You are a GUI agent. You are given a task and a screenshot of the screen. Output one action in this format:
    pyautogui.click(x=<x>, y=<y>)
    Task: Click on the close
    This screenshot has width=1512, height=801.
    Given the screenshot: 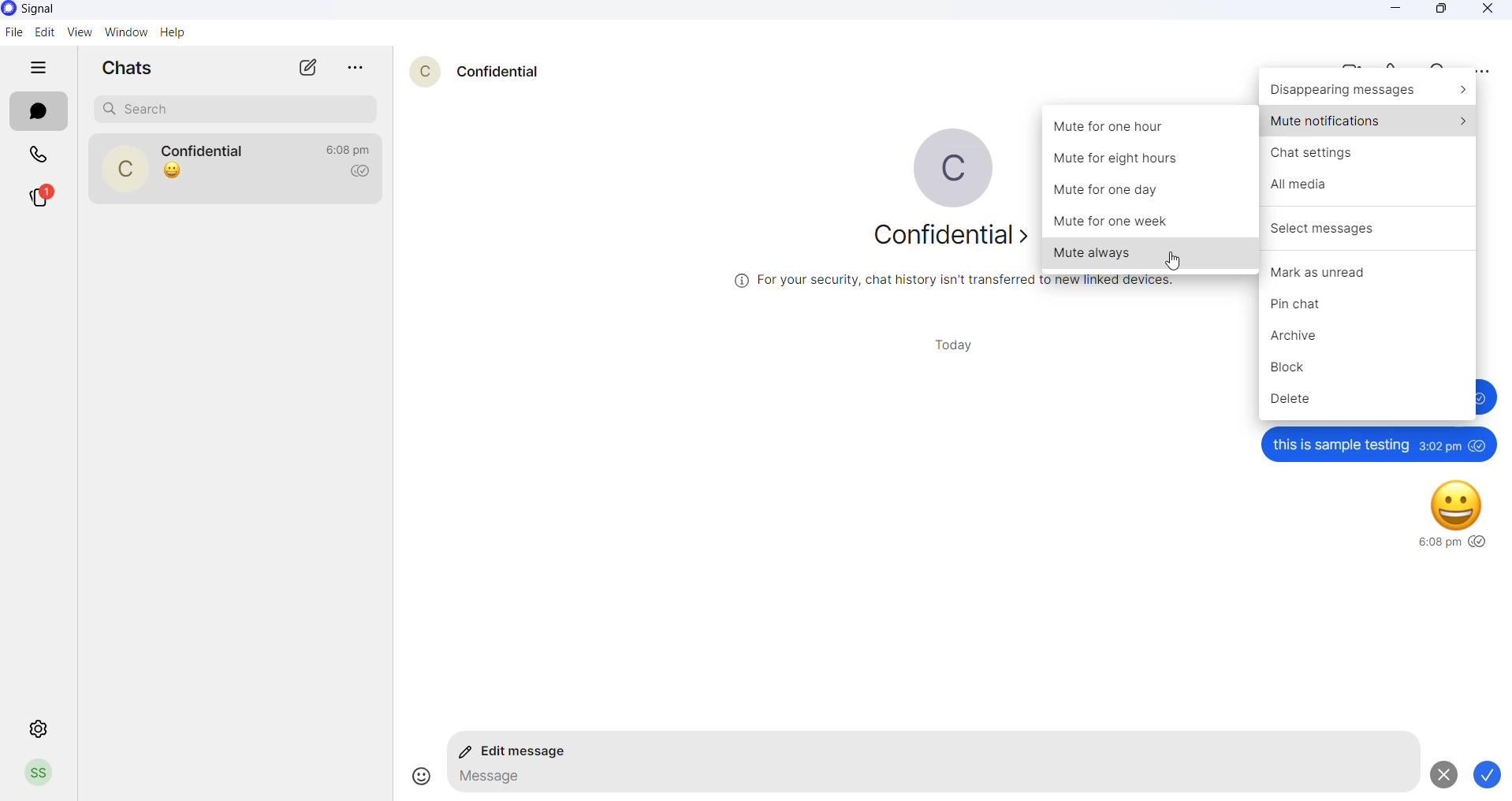 What is the action you would take?
    pyautogui.click(x=1483, y=10)
    